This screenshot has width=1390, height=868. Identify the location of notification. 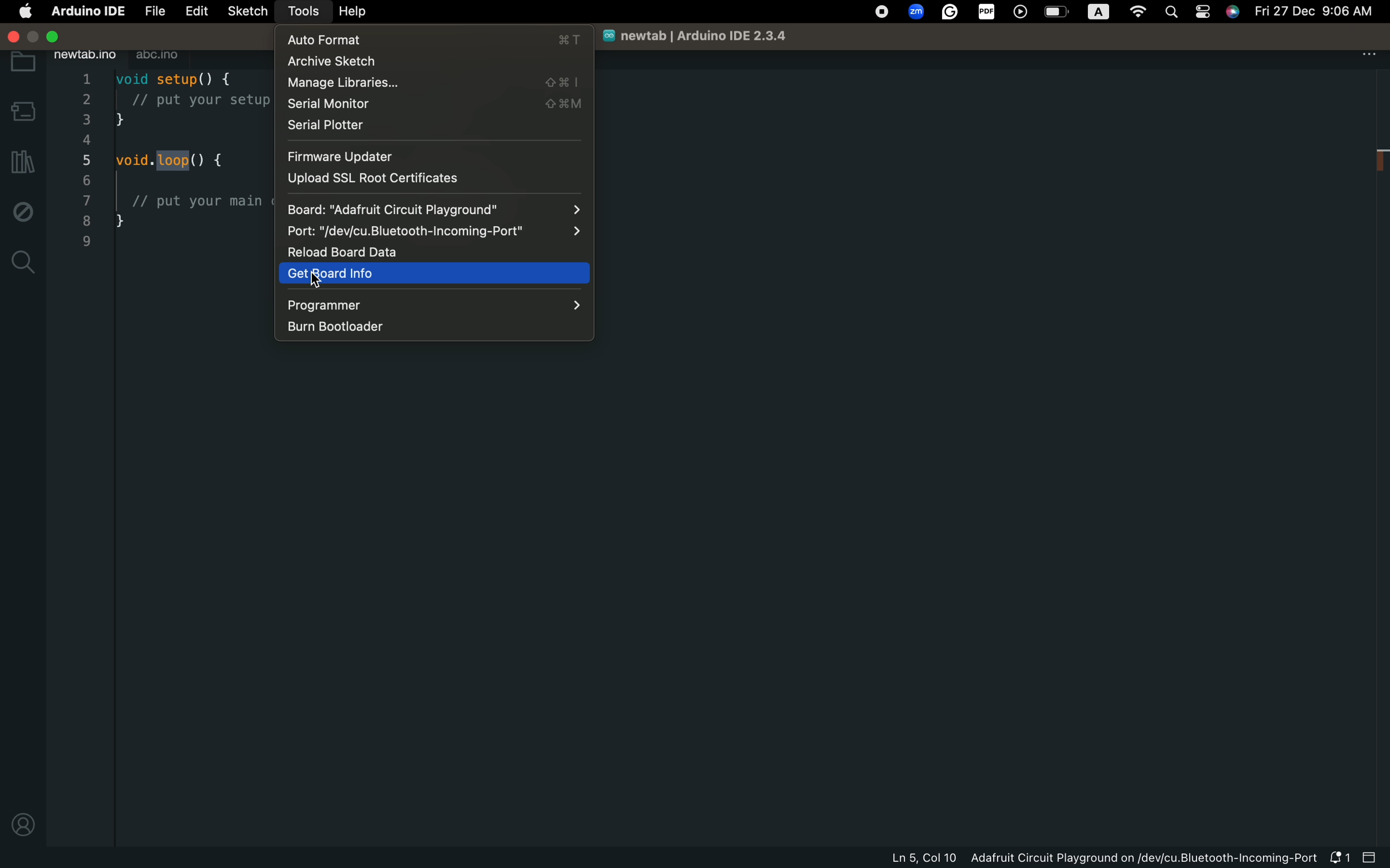
(1338, 857).